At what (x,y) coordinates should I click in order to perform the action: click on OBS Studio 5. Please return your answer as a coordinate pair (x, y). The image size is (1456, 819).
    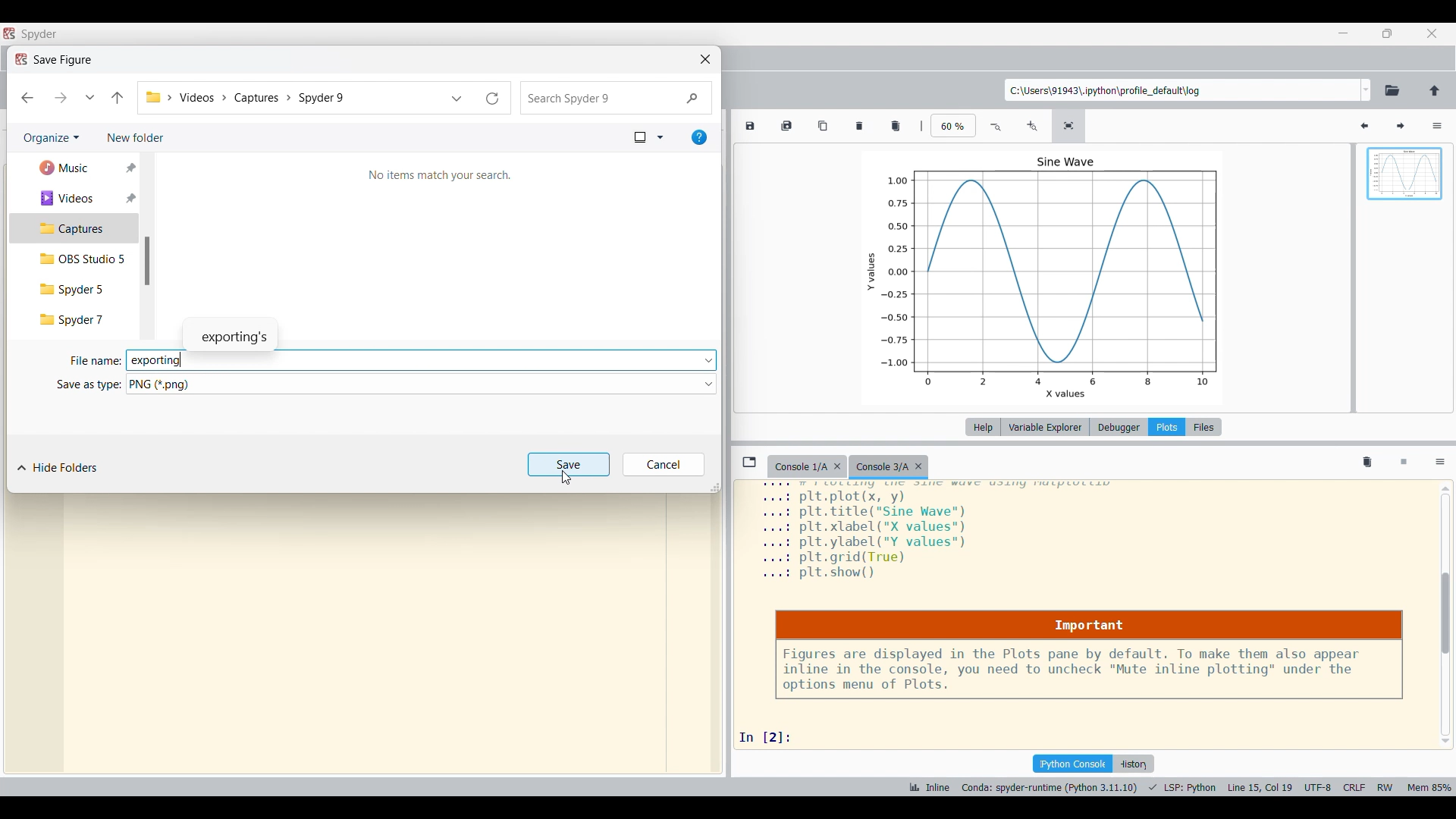
    Looking at the image, I should click on (74, 259).